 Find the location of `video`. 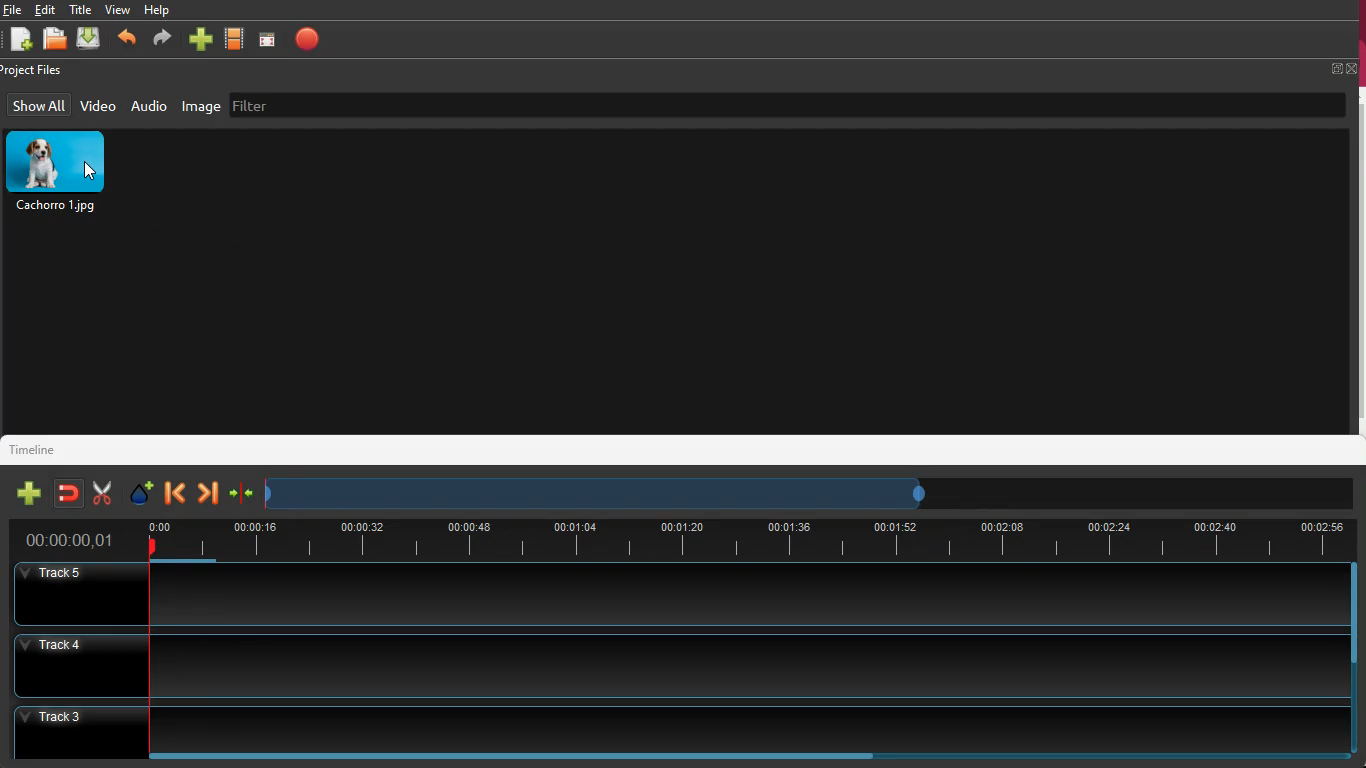

video is located at coordinates (236, 40).